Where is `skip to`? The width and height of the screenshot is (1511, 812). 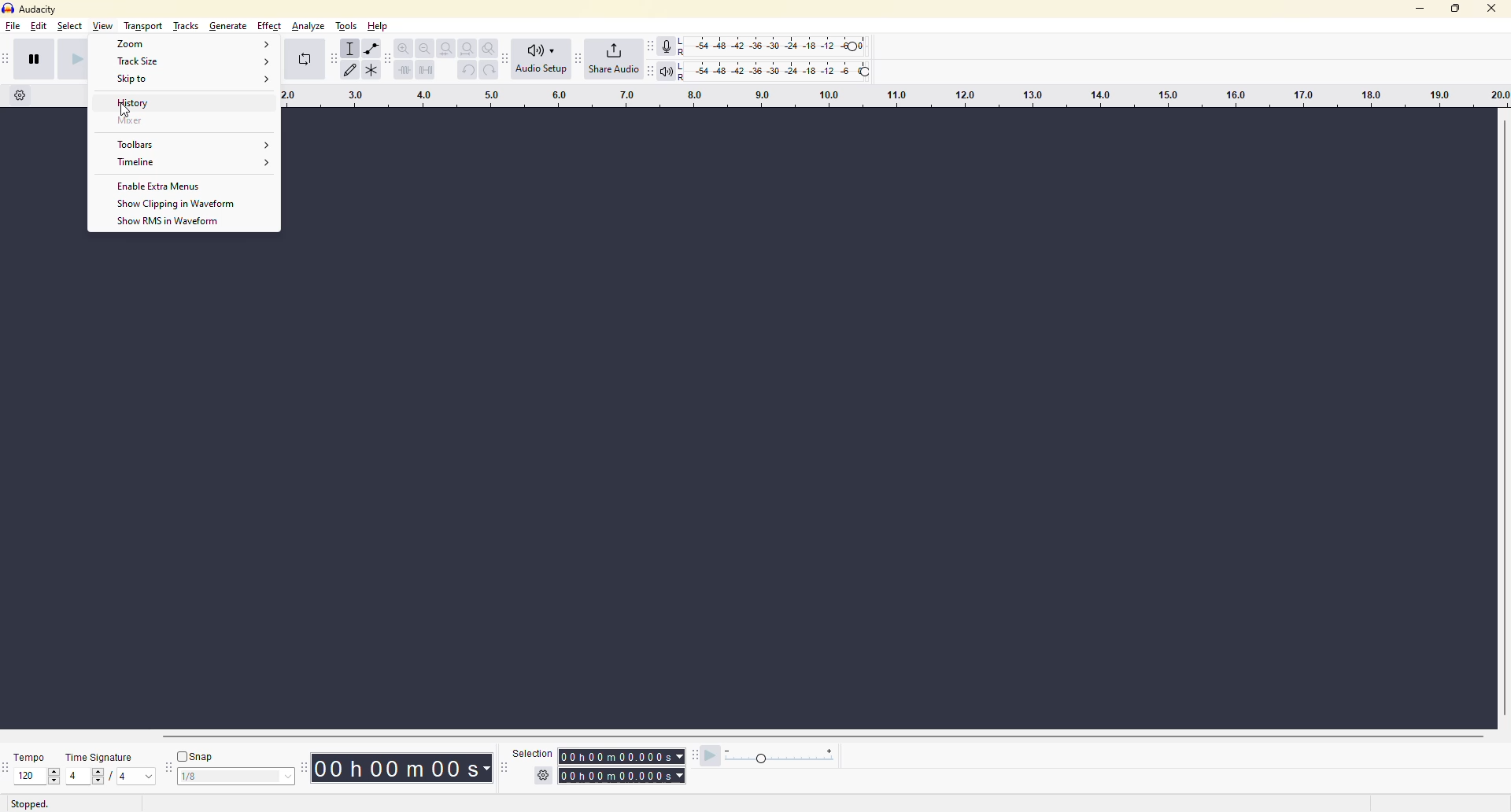 skip to is located at coordinates (194, 80).